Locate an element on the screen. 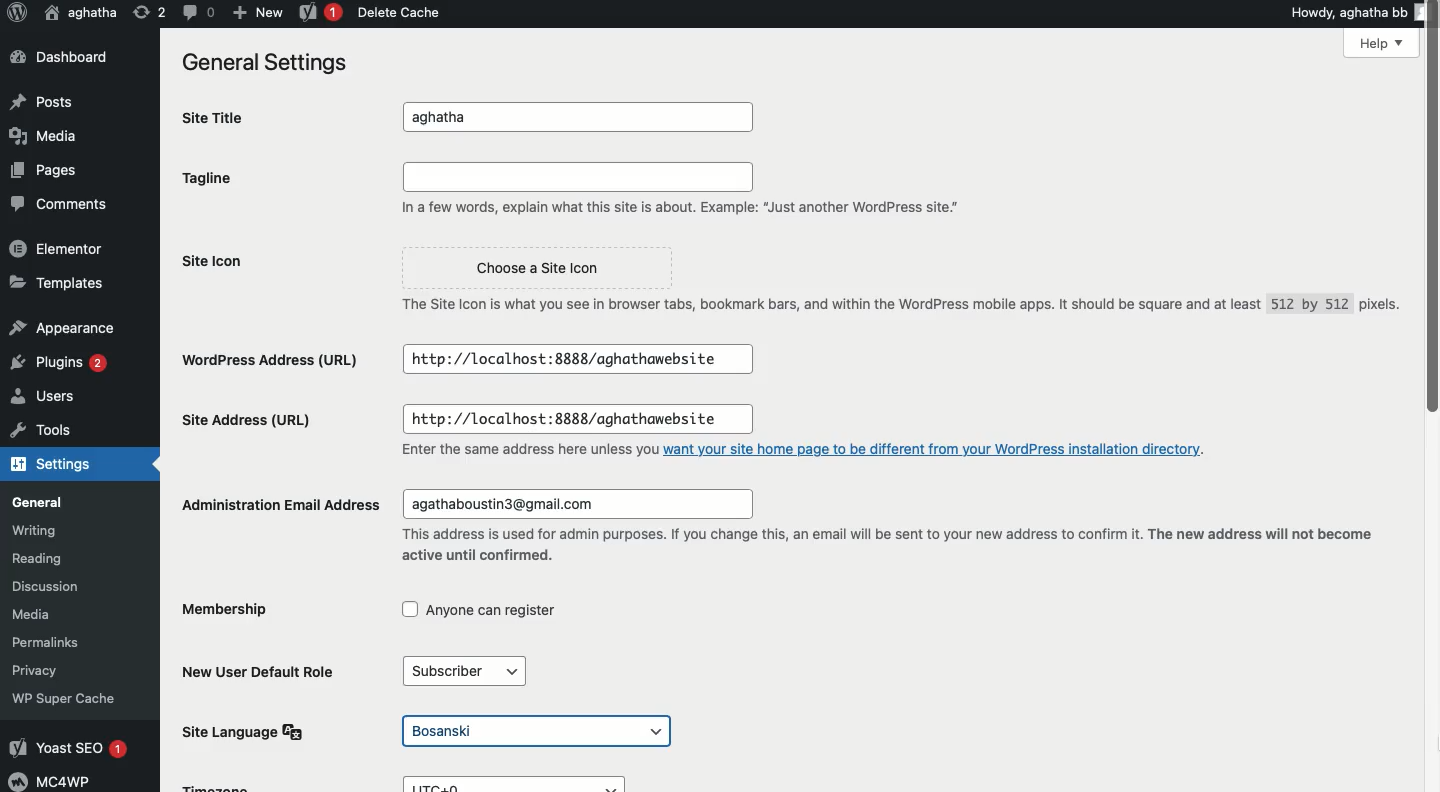 This screenshot has width=1440, height=792. http://localhost :8888/aghathawebsite is located at coordinates (576, 359).